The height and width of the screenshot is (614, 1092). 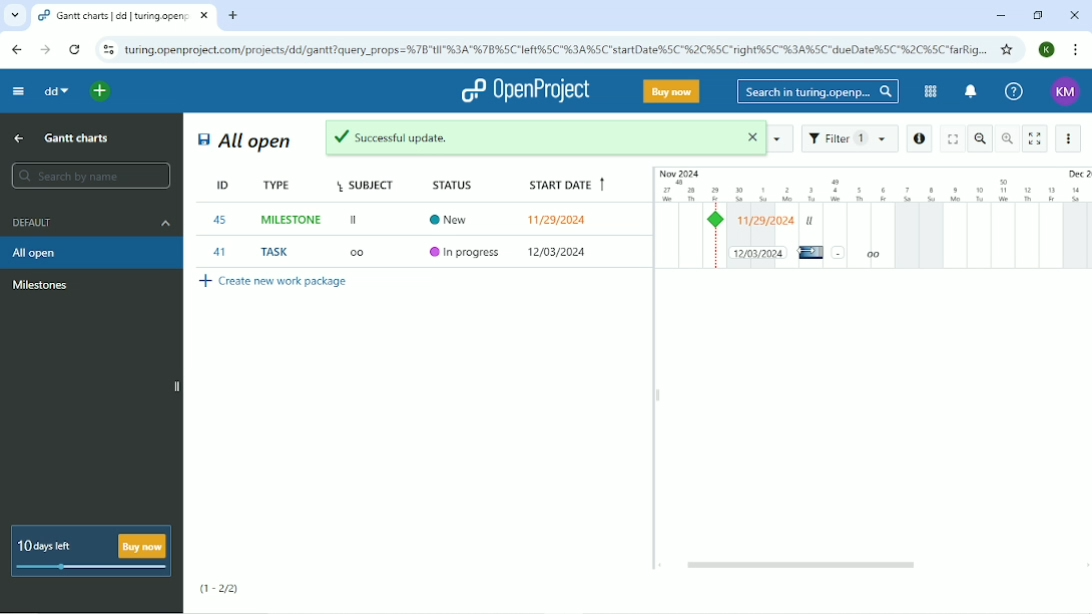 I want to click on To notification center, so click(x=969, y=92).